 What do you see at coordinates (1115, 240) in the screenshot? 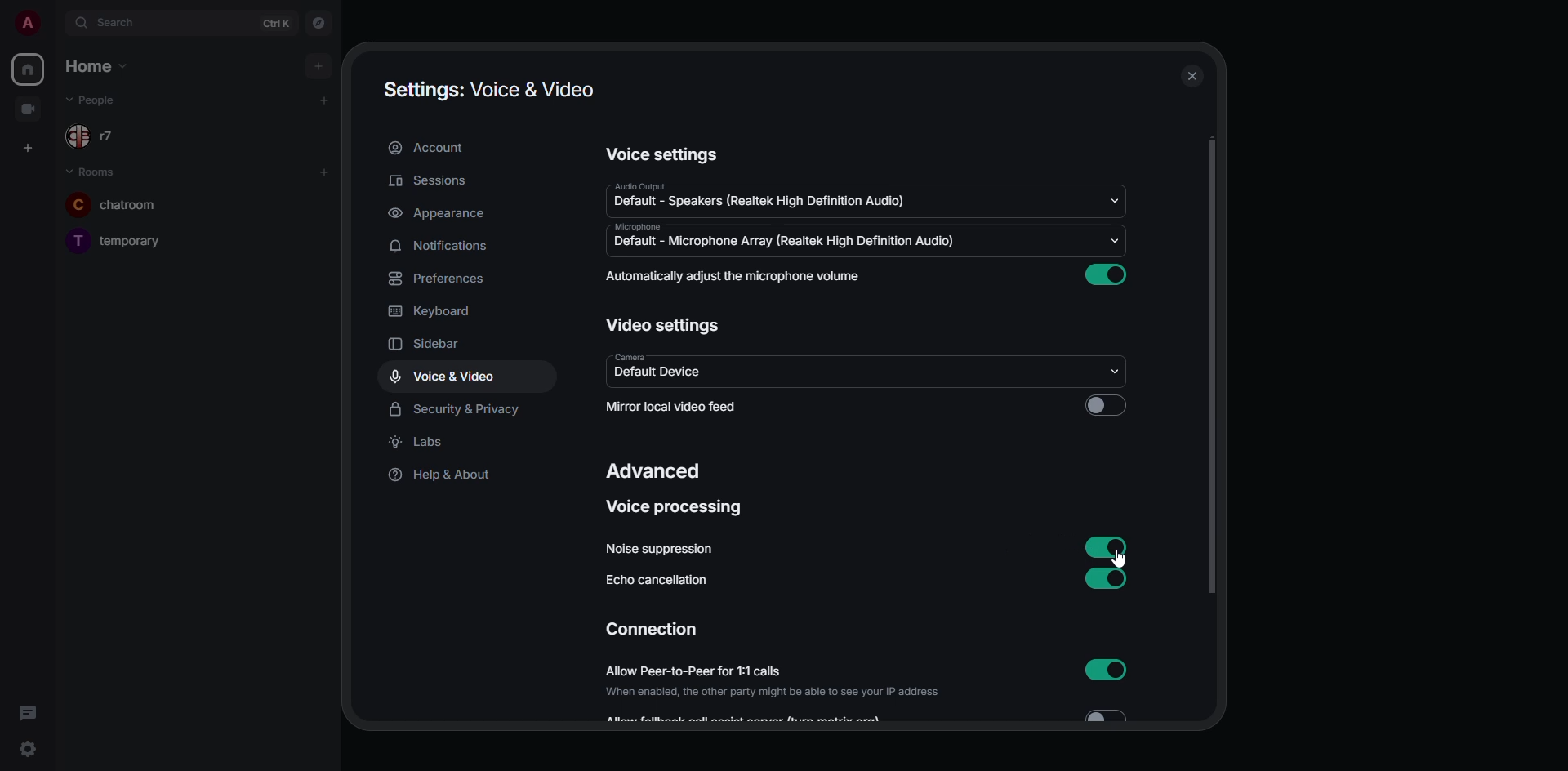
I see `drop down` at bounding box center [1115, 240].